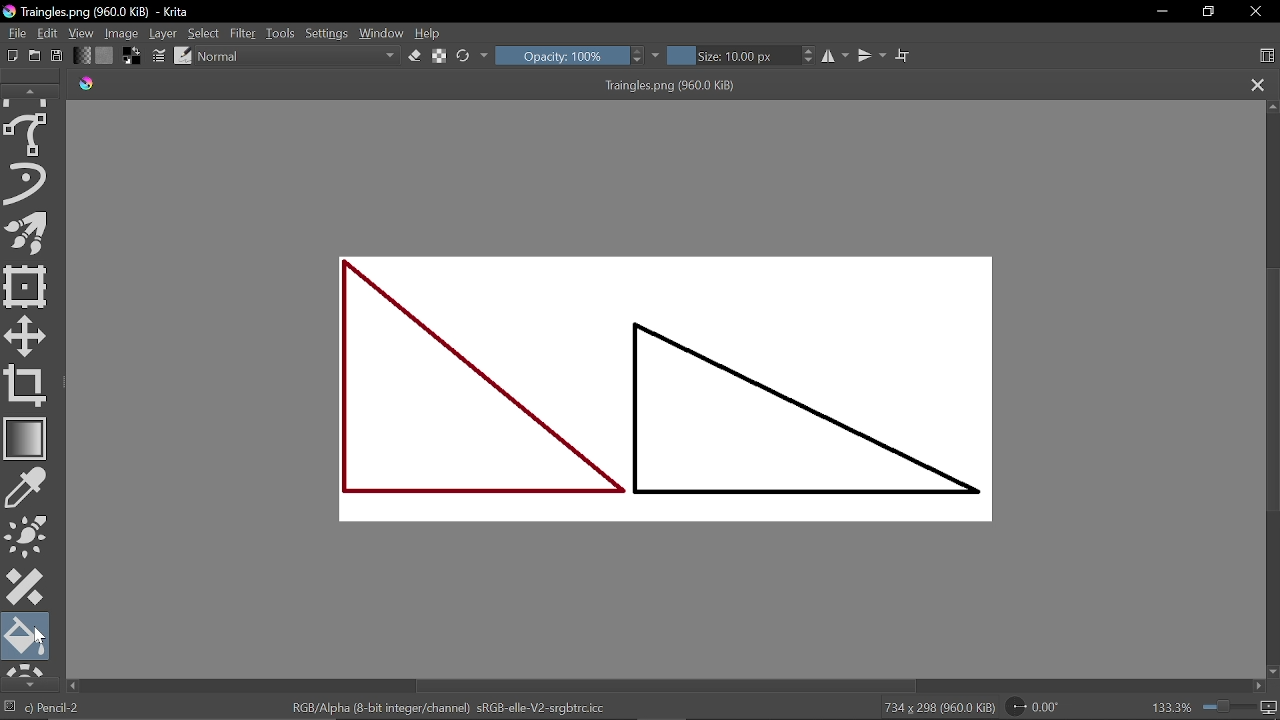 The height and width of the screenshot is (720, 1280). What do you see at coordinates (434, 35) in the screenshot?
I see `Help` at bounding box center [434, 35].